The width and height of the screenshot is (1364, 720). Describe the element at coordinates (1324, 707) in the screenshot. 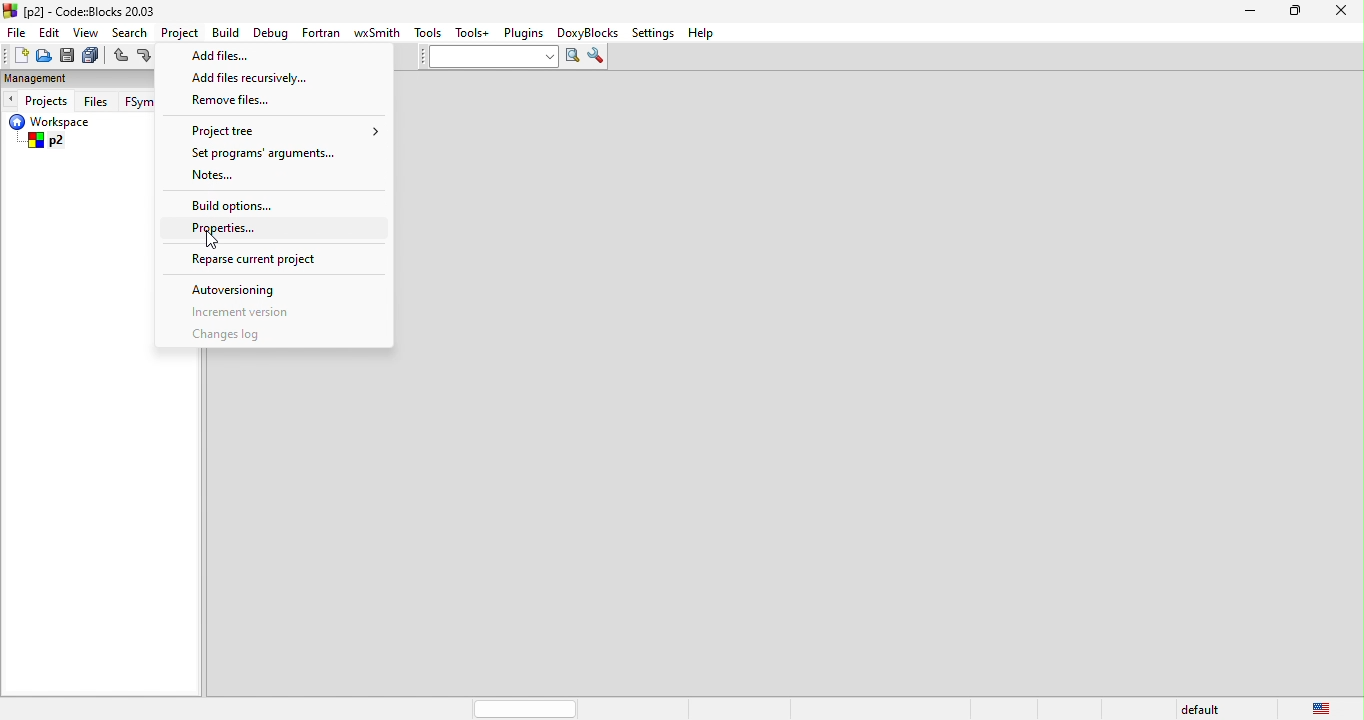

I see `united state` at that location.